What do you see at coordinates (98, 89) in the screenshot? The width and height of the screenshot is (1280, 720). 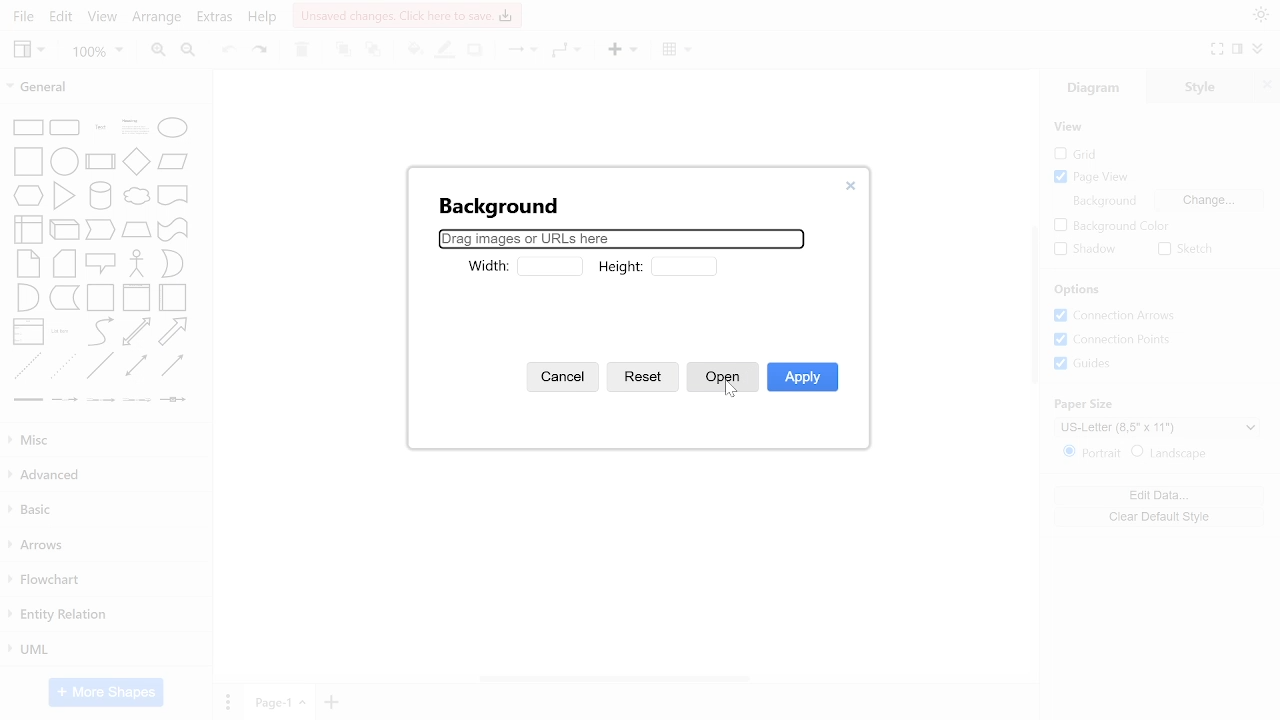 I see `general` at bounding box center [98, 89].